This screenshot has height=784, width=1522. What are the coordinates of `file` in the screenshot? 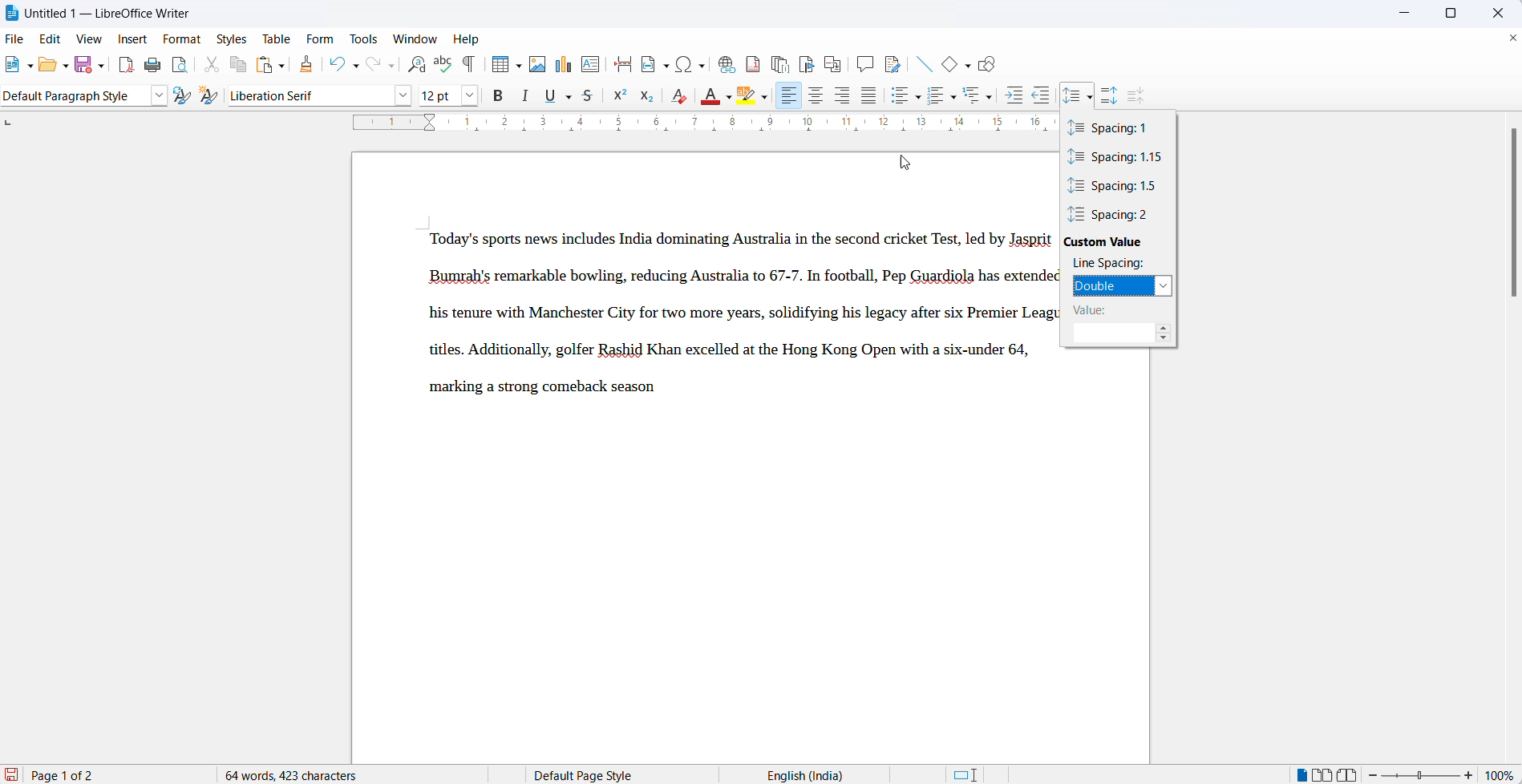 It's located at (14, 38).